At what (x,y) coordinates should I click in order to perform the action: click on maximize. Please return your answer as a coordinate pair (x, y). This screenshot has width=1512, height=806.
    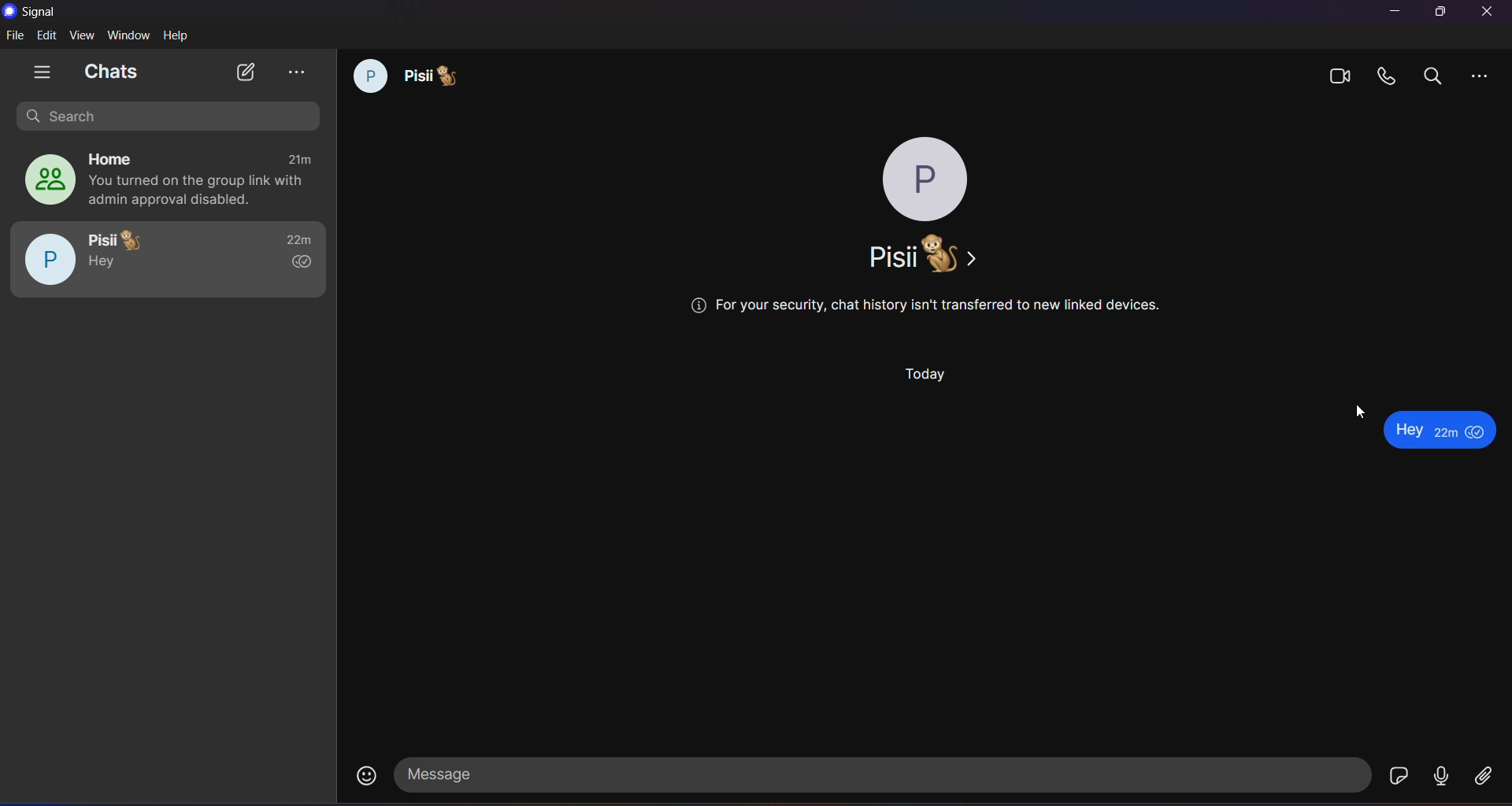
    Looking at the image, I should click on (1439, 12).